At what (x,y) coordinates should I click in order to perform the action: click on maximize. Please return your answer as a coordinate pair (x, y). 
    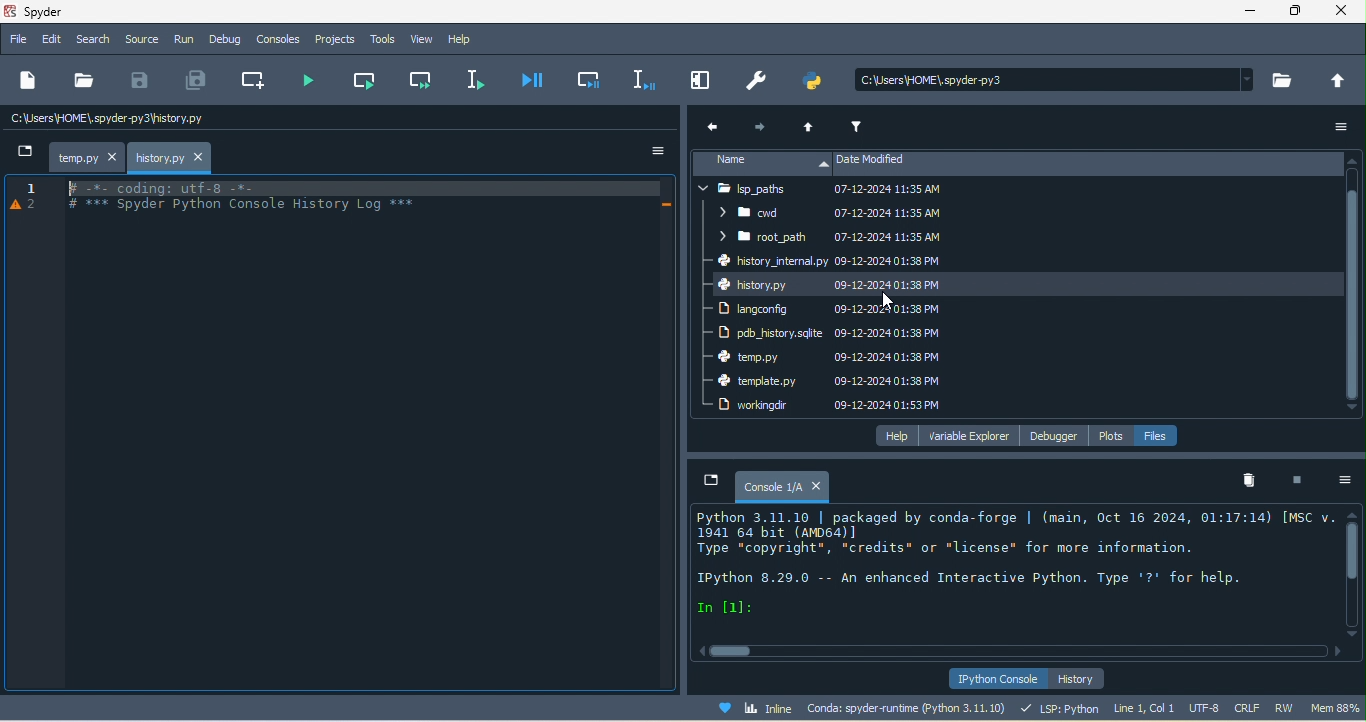
    Looking at the image, I should click on (1291, 12).